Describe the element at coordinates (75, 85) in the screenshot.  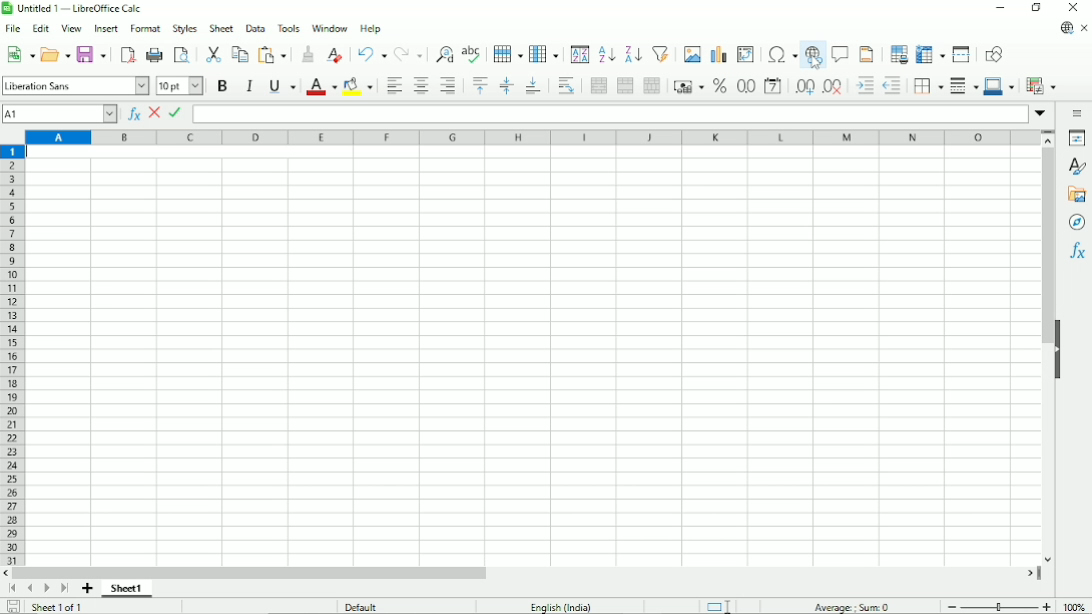
I see `Font style` at that location.